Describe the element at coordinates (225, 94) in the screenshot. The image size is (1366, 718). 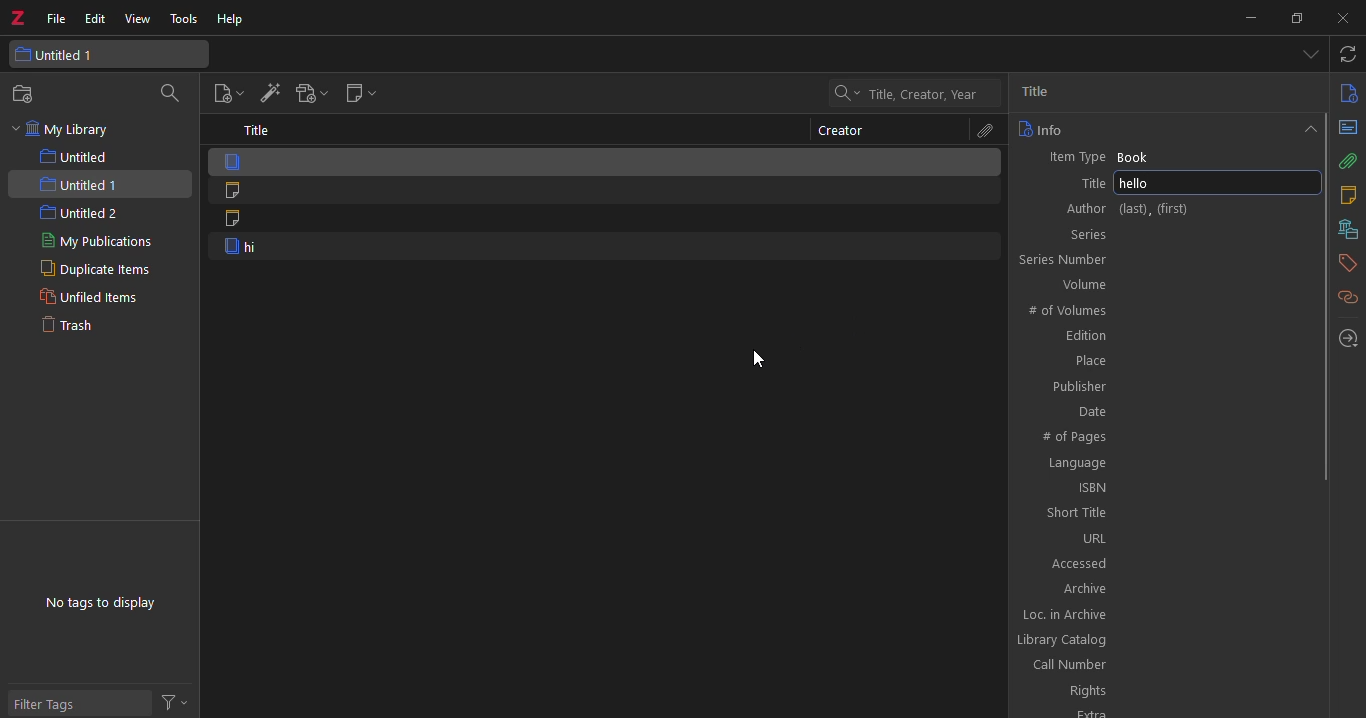
I see `new item` at that location.